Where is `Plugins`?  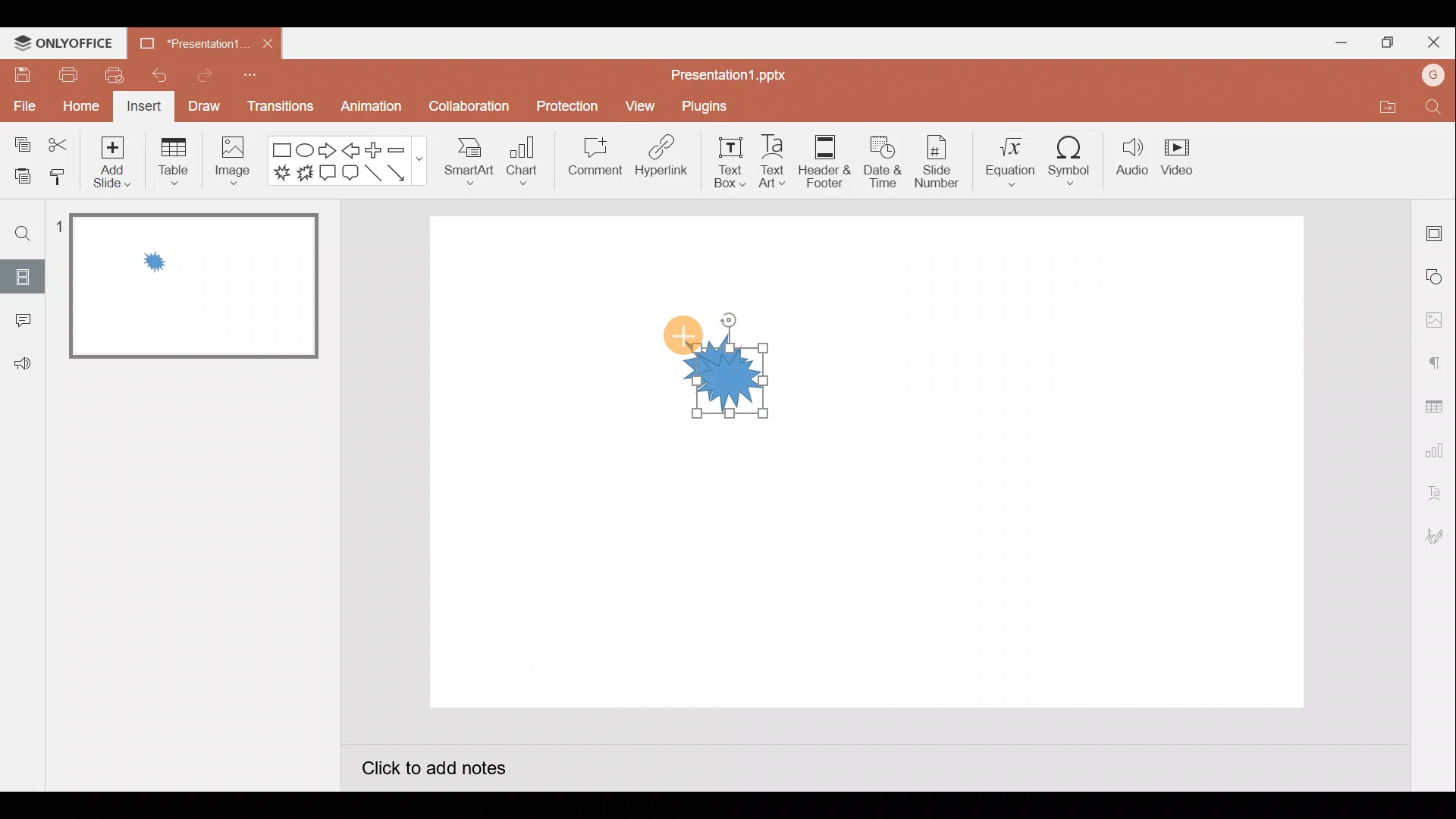
Plugins is located at coordinates (704, 103).